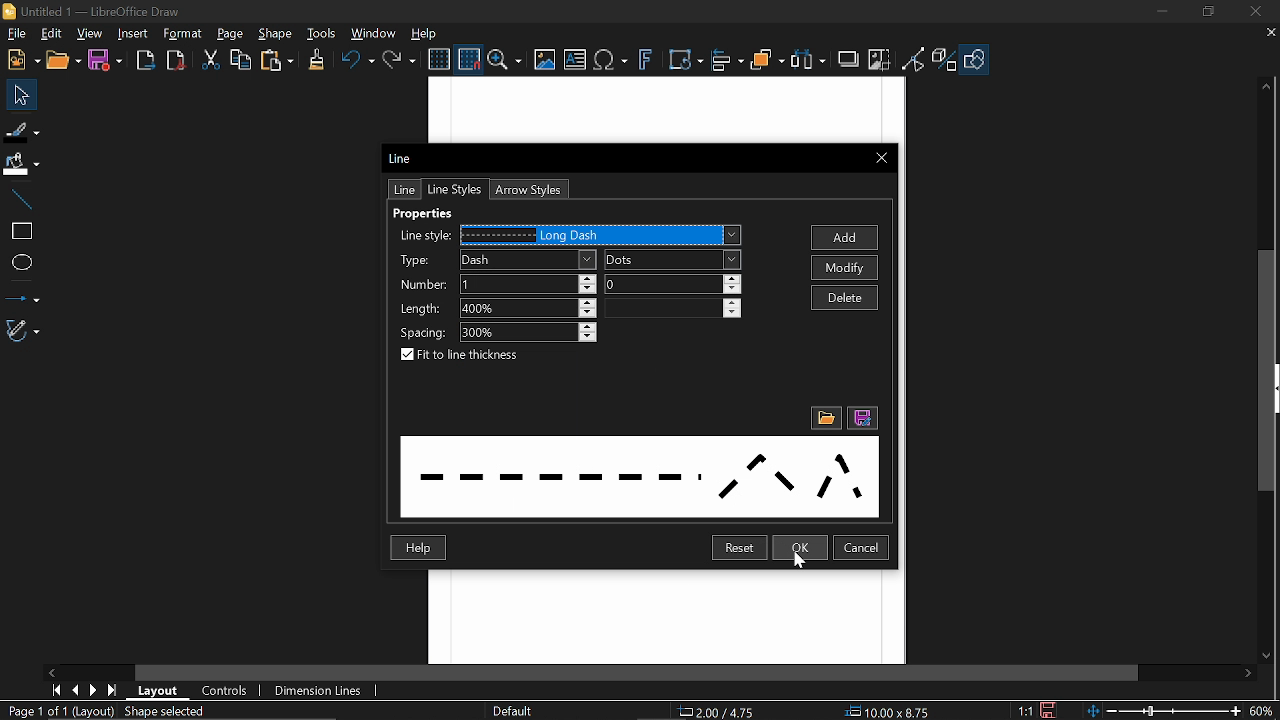 The width and height of the screenshot is (1280, 720). Describe the element at coordinates (230, 35) in the screenshot. I see `Page` at that location.